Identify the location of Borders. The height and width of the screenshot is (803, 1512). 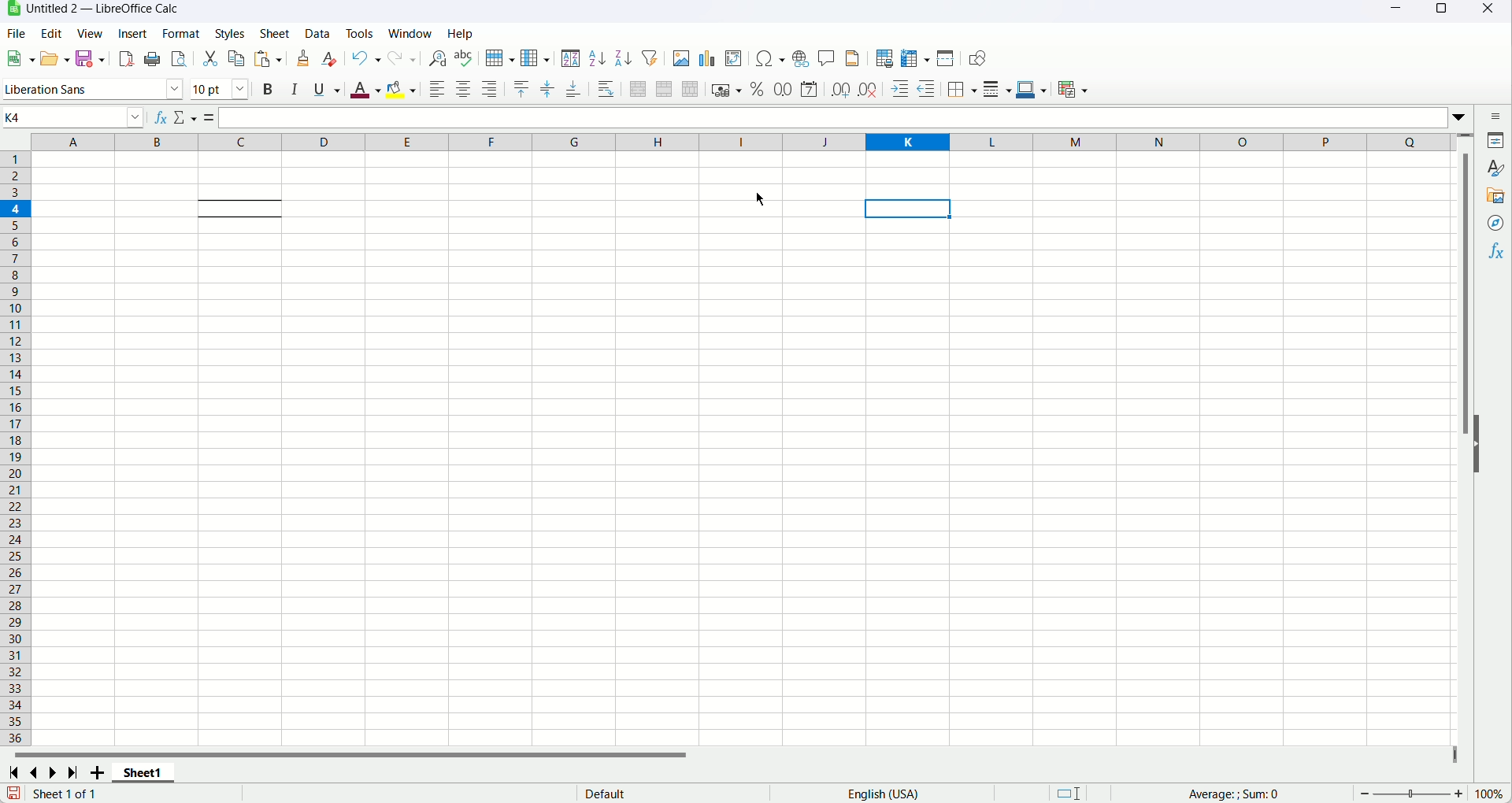
(963, 89).